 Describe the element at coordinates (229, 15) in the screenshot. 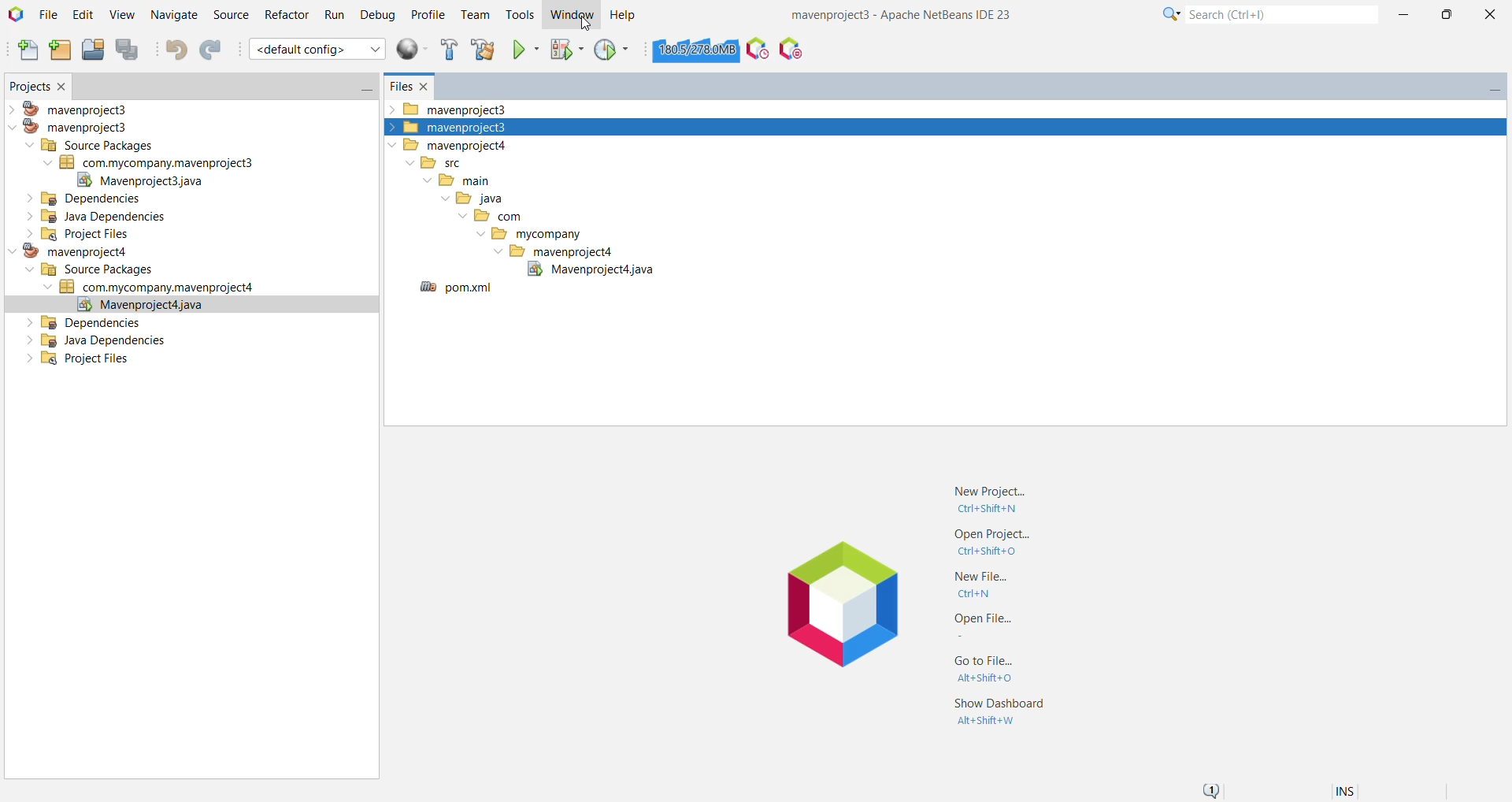

I see `Source` at that location.